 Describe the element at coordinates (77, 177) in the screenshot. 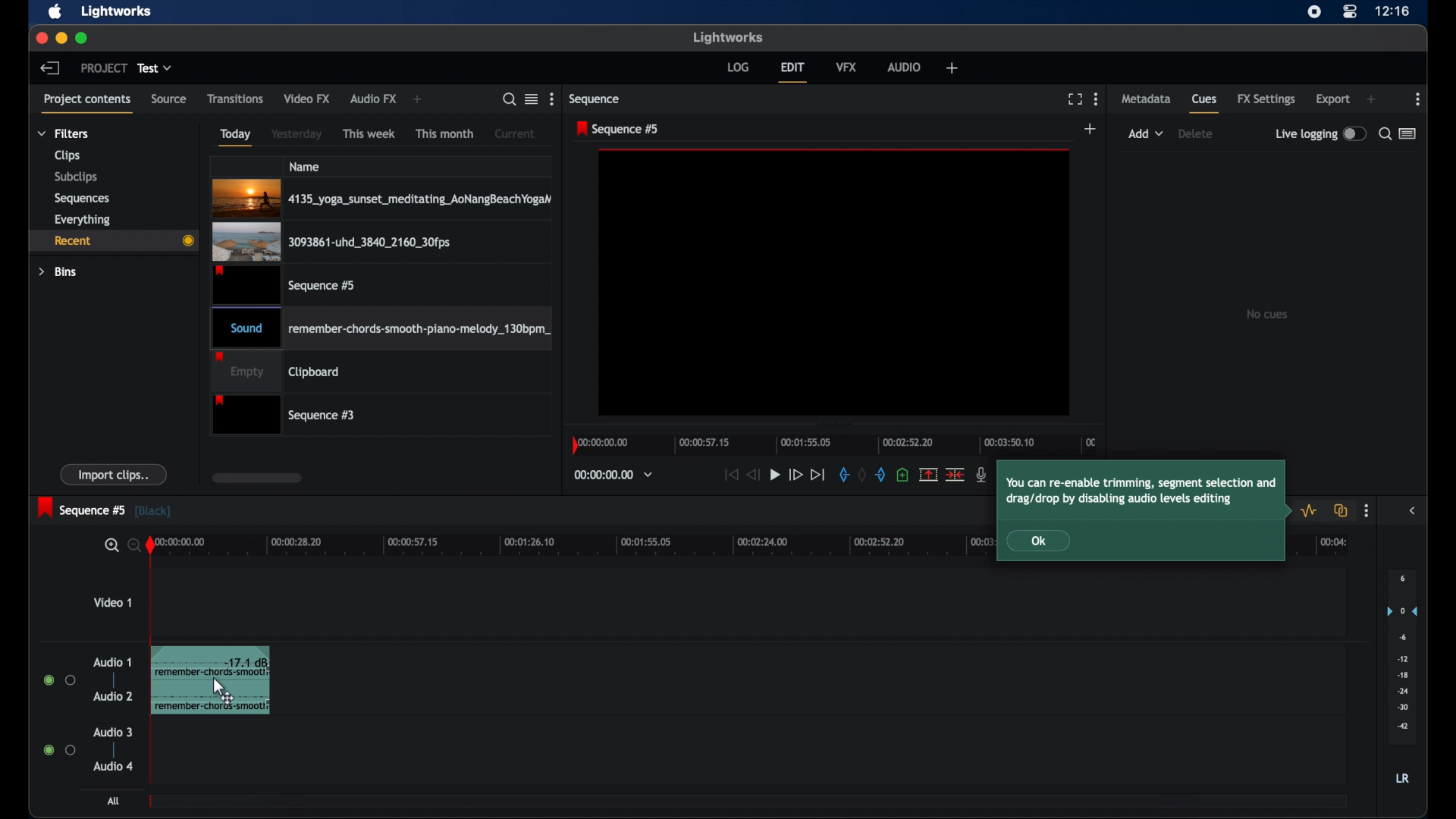

I see `subclips` at that location.